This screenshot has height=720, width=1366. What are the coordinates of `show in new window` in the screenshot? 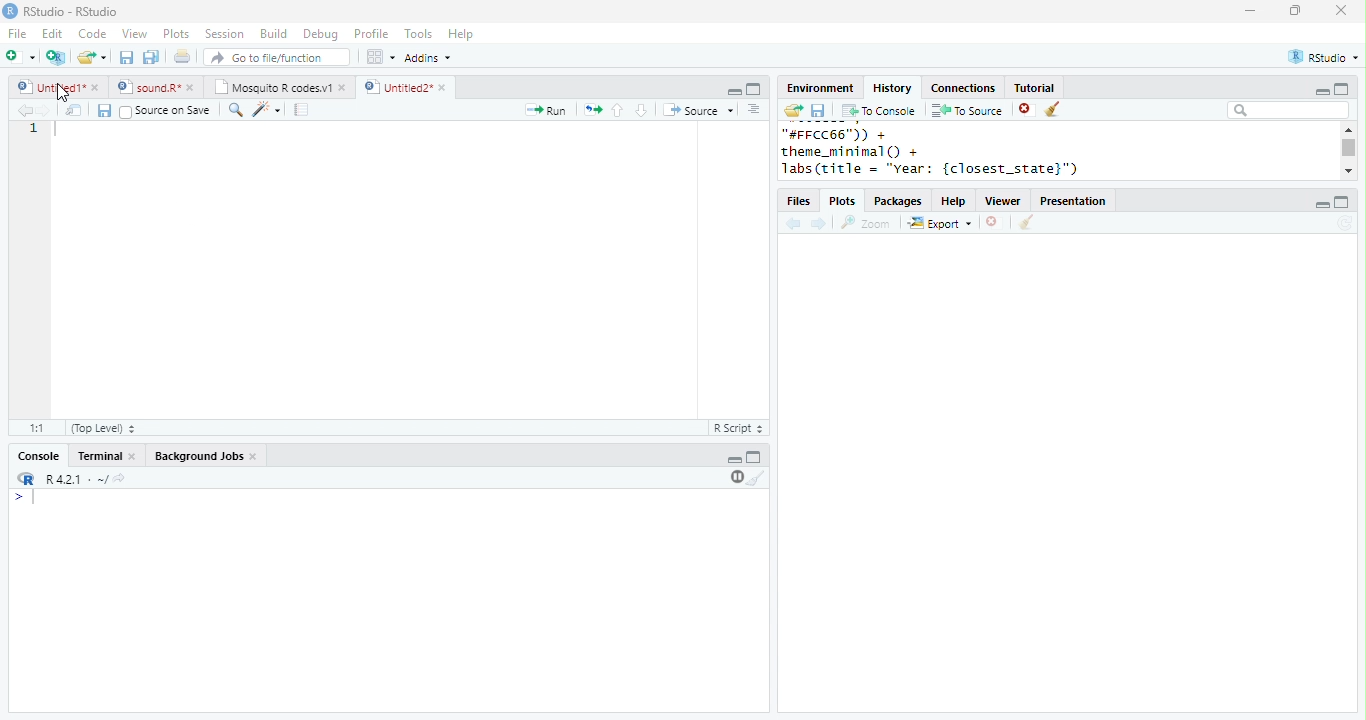 It's located at (76, 111).